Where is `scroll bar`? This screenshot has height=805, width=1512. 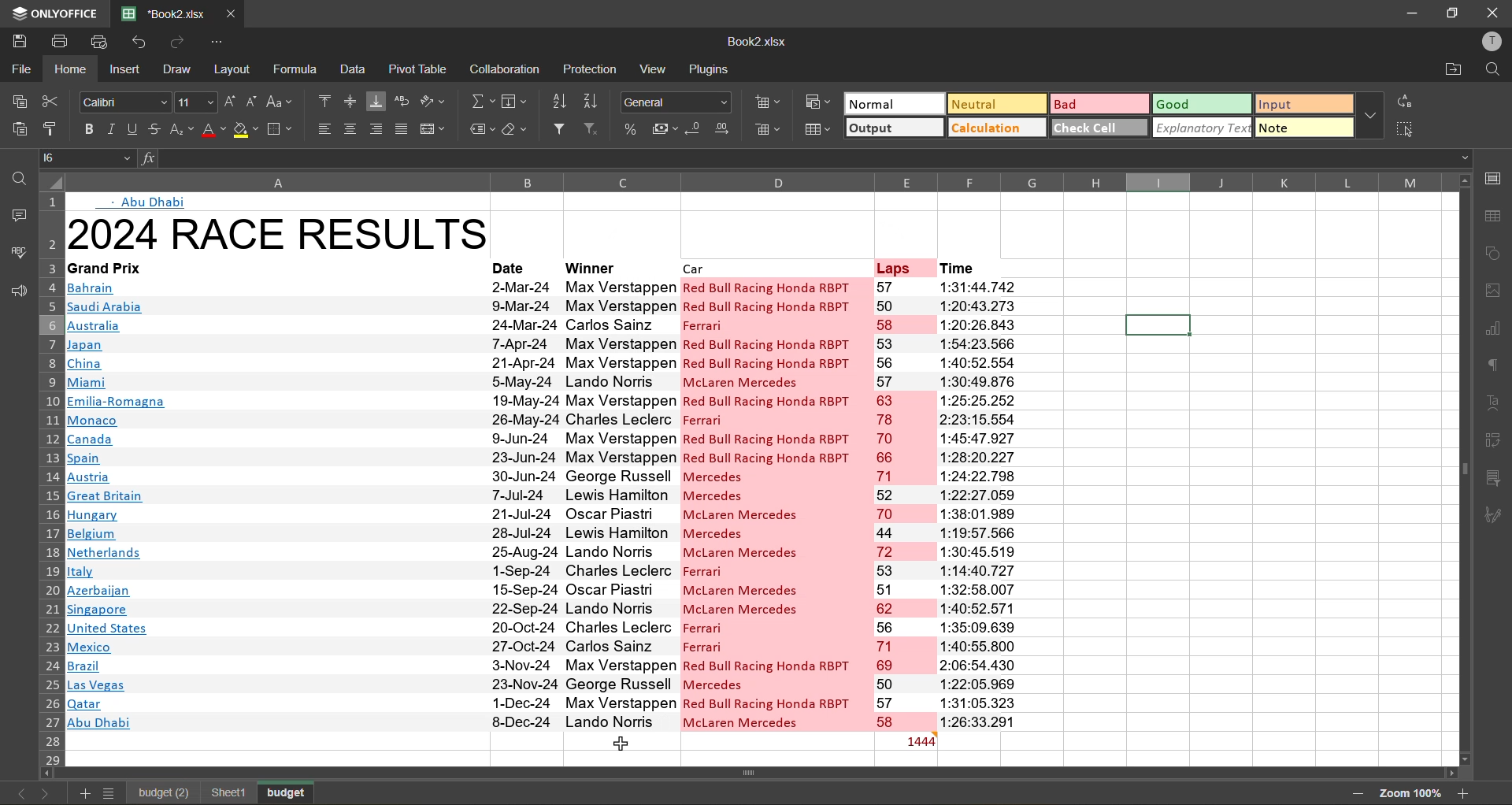 scroll bar is located at coordinates (1464, 395).